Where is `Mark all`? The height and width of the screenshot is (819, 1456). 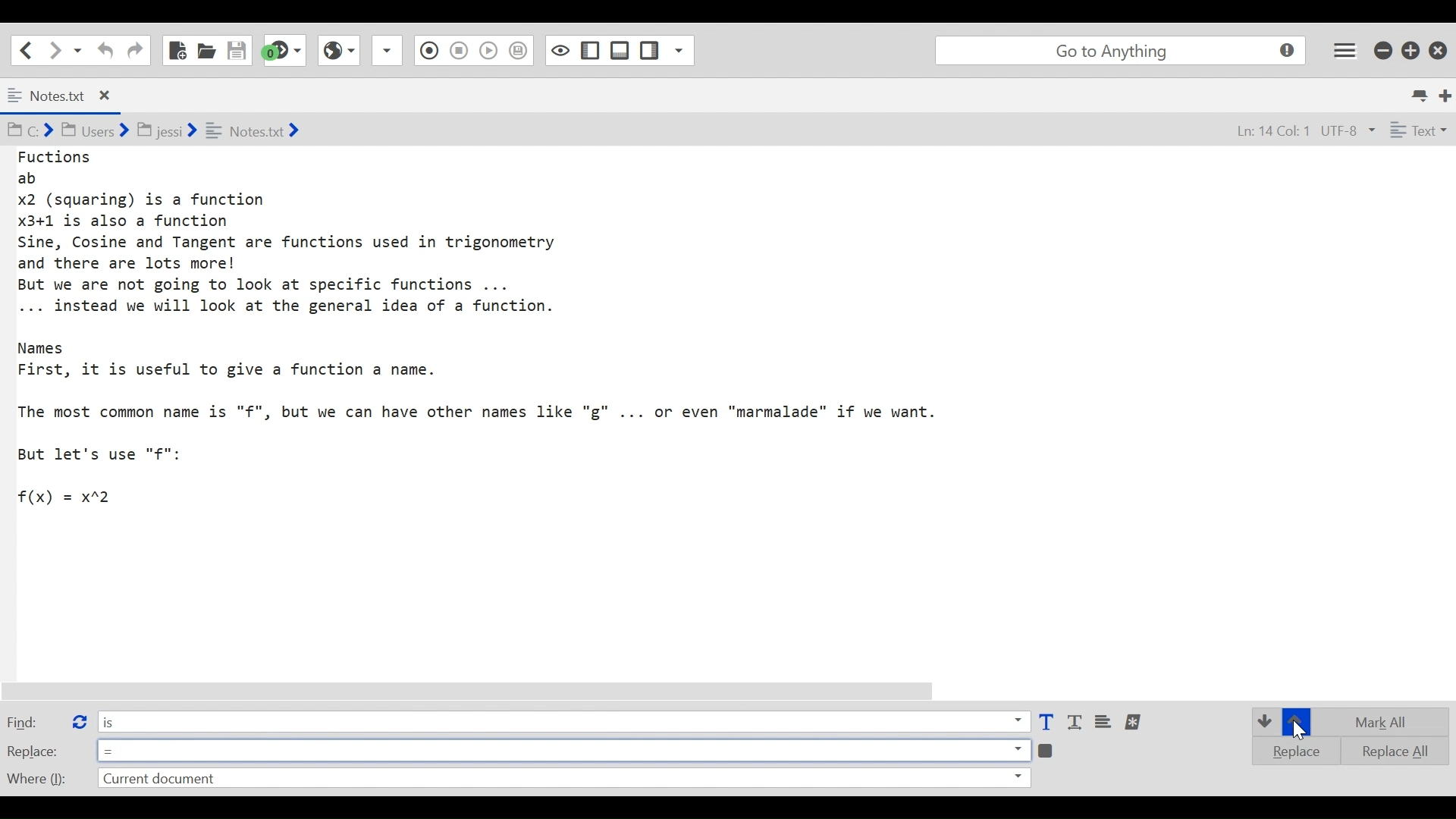 Mark all is located at coordinates (1386, 722).